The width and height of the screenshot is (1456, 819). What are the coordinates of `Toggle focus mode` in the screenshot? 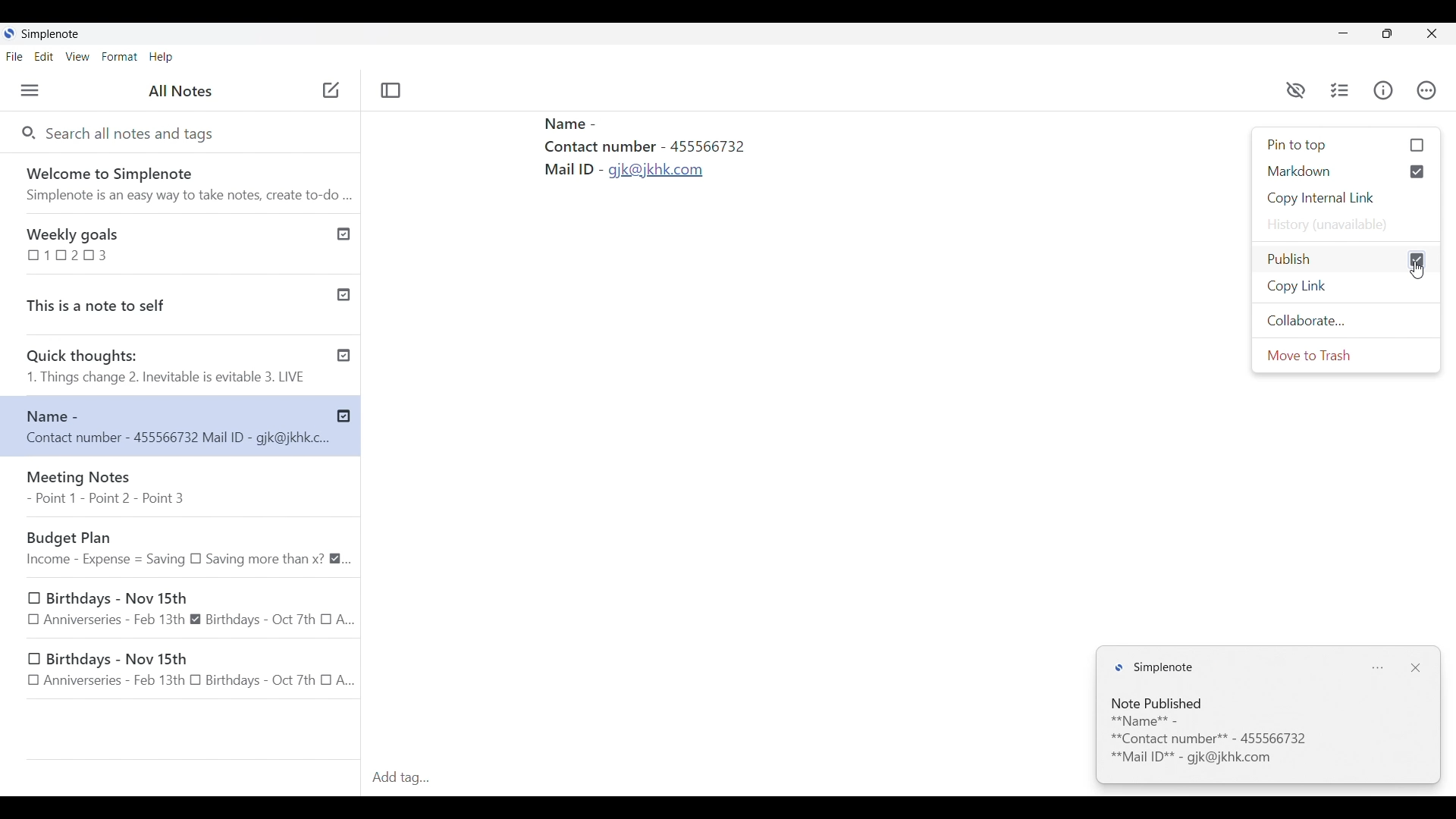 It's located at (392, 91).